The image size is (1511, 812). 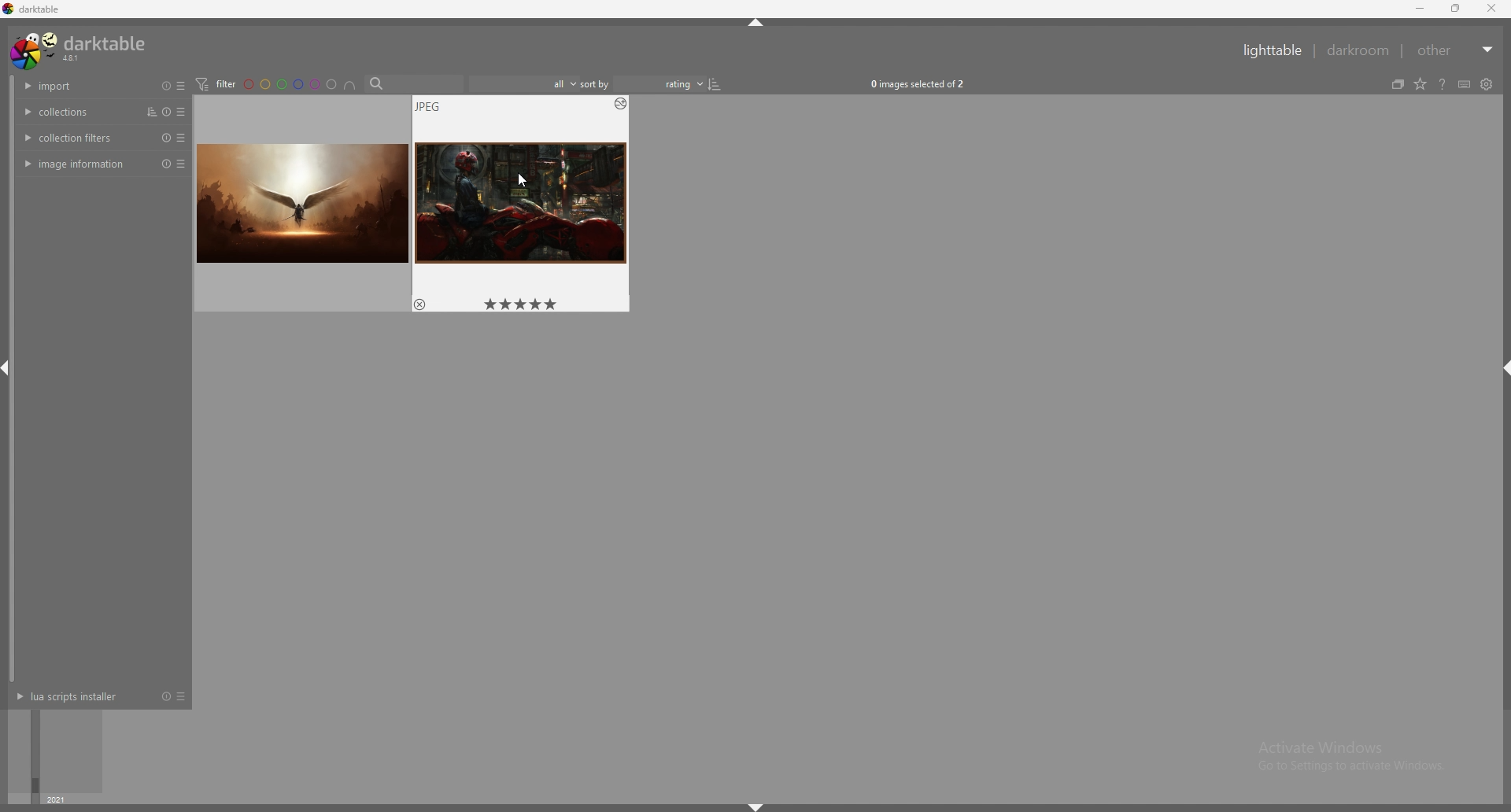 What do you see at coordinates (76, 696) in the screenshot?
I see `lua scripts installer` at bounding box center [76, 696].